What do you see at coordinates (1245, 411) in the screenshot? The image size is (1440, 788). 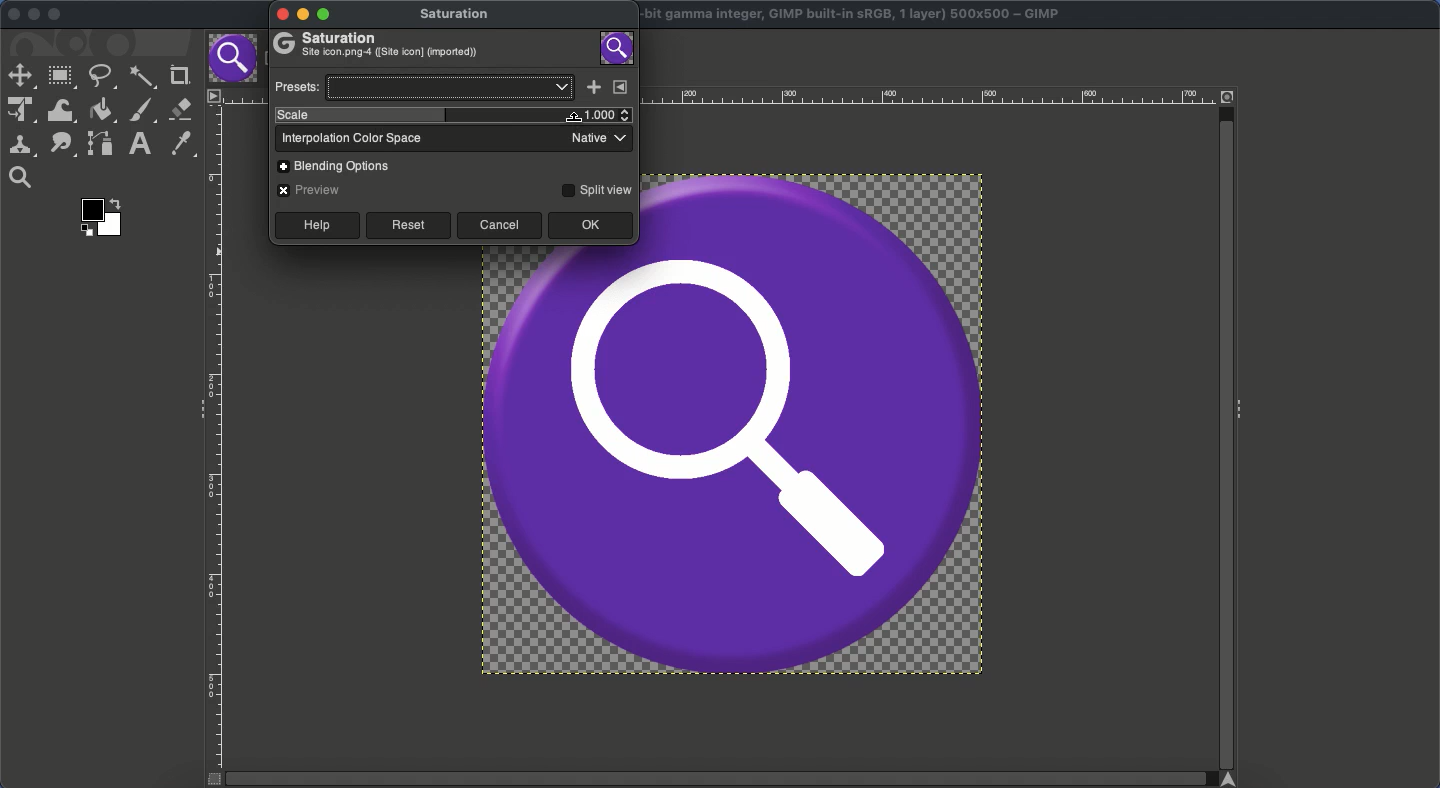 I see `Collapse` at bounding box center [1245, 411].